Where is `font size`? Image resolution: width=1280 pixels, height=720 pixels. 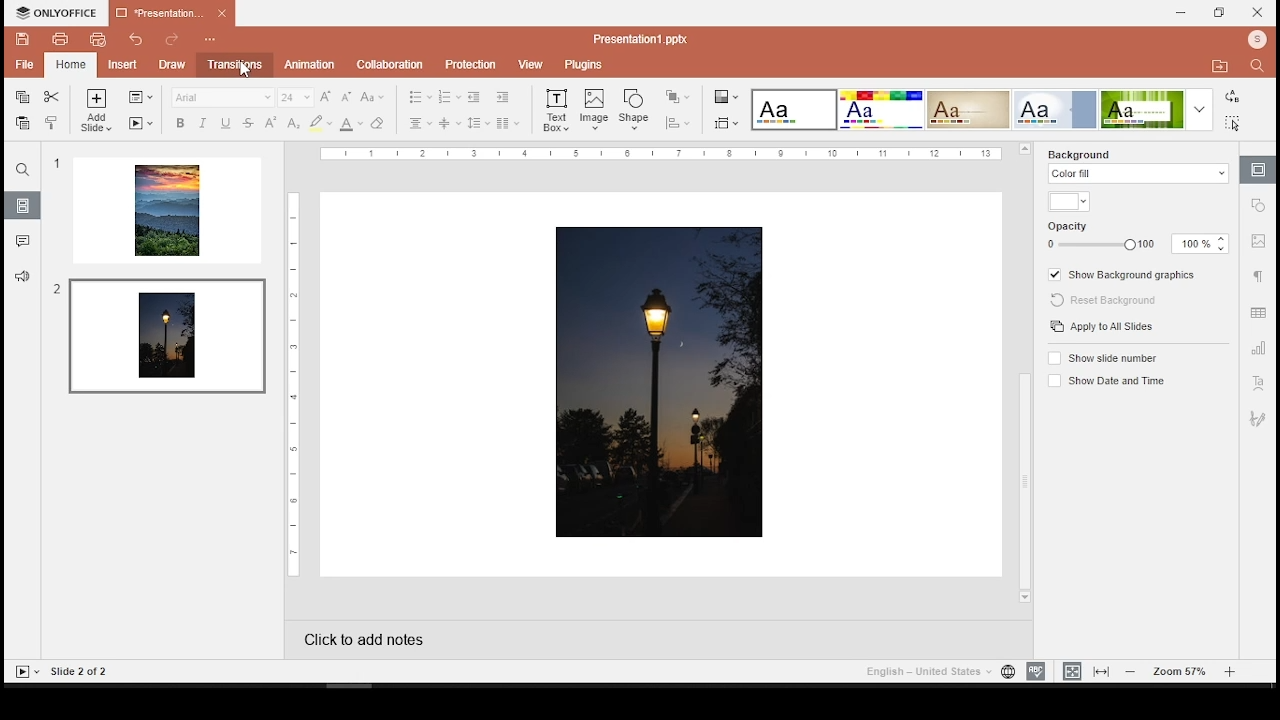 font size is located at coordinates (293, 97).